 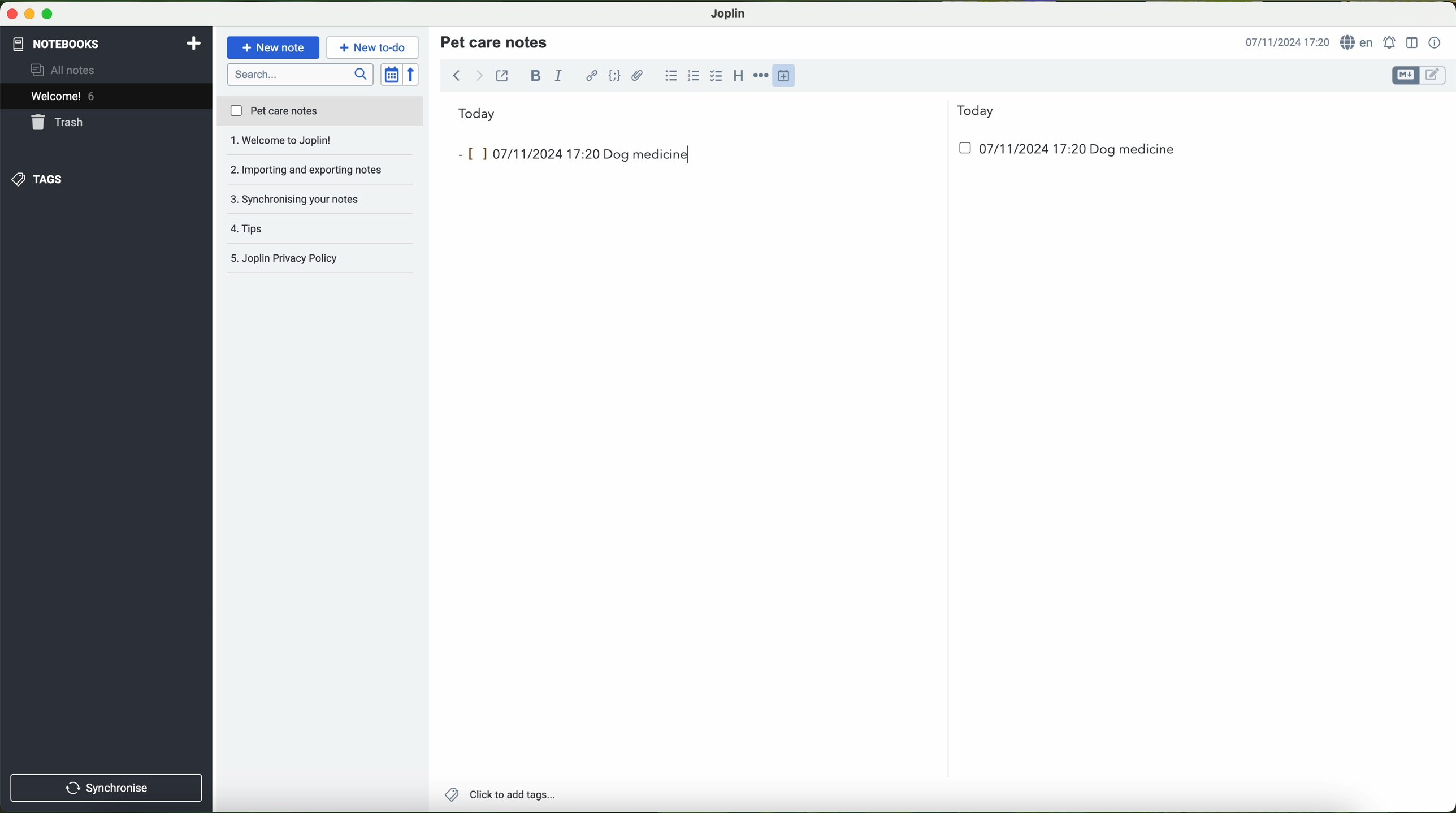 I want to click on search bar, so click(x=302, y=73).